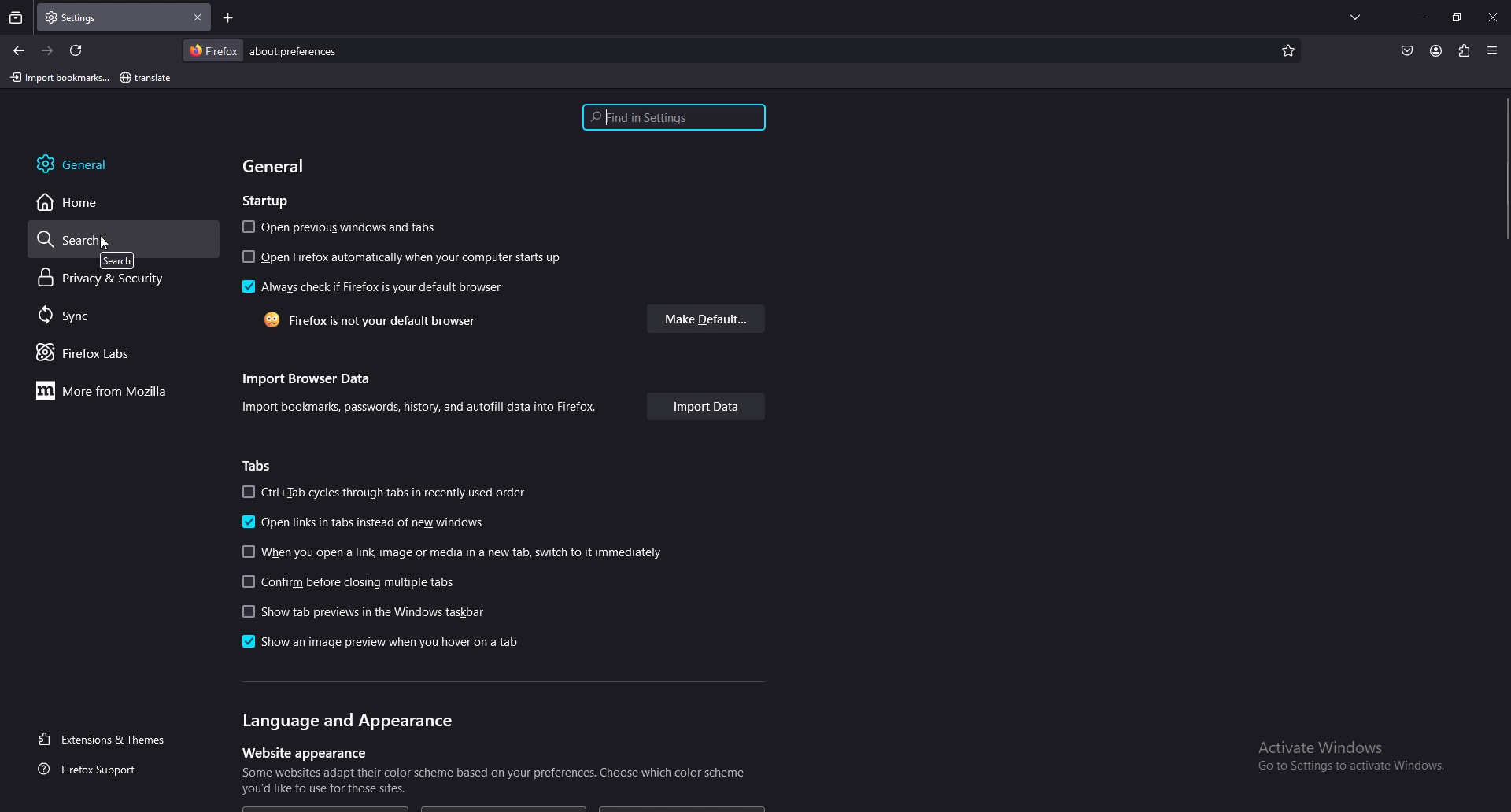  Describe the element at coordinates (103, 769) in the screenshot. I see `firefox support` at that location.